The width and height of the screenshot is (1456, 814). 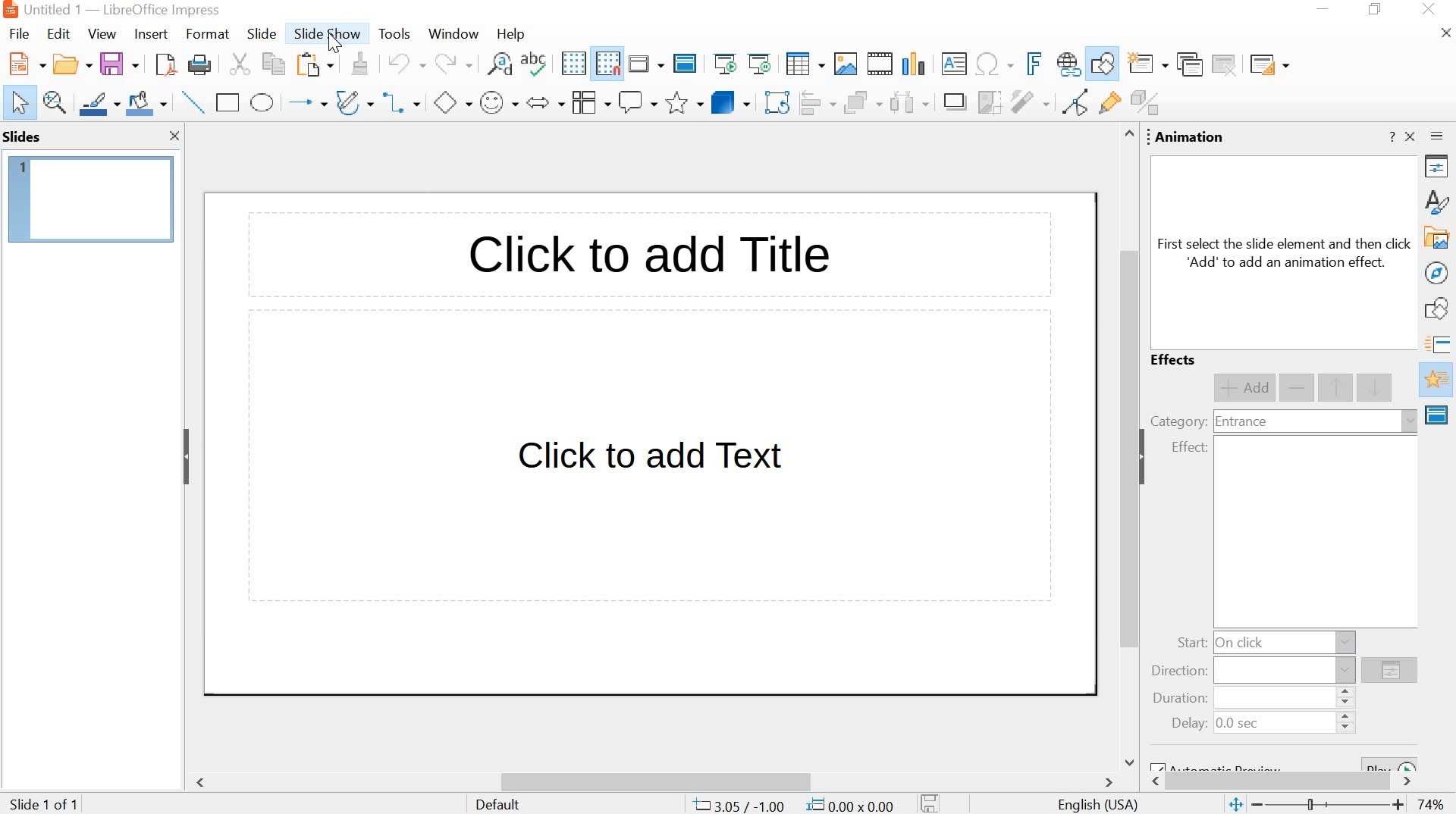 What do you see at coordinates (1268, 64) in the screenshot?
I see `slide layout` at bounding box center [1268, 64].